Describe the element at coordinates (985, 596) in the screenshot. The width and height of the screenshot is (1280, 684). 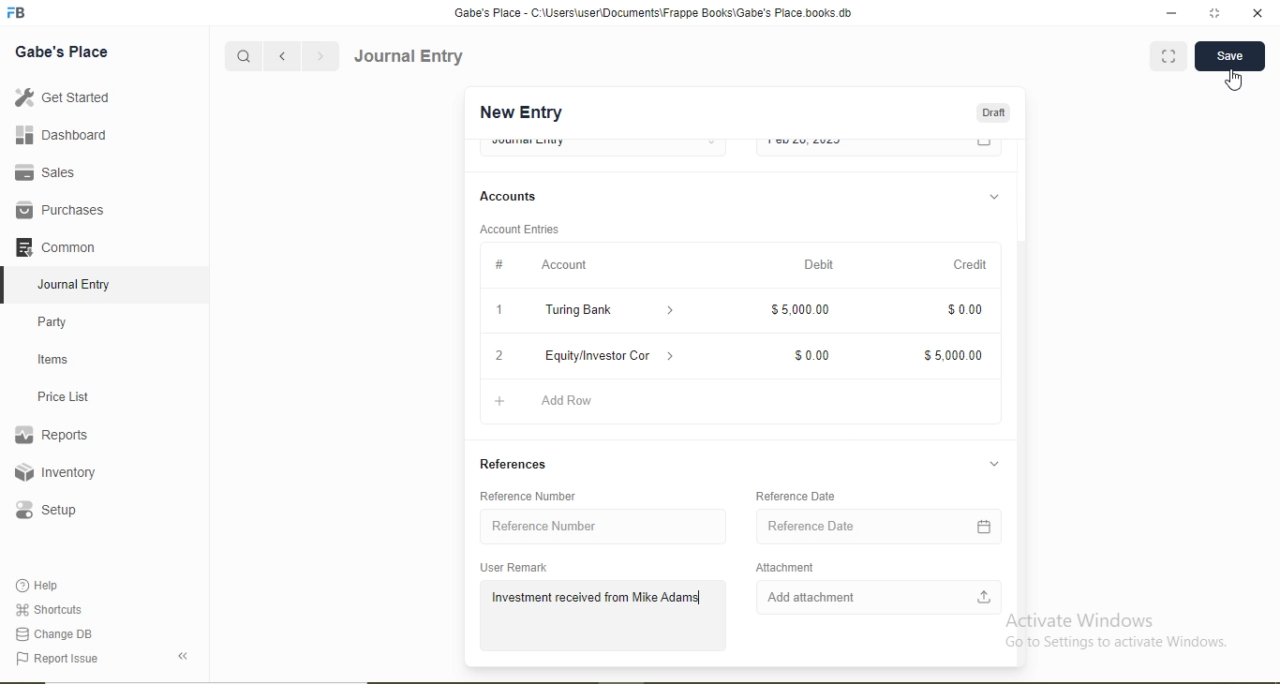
I see `Upload file` at that location.